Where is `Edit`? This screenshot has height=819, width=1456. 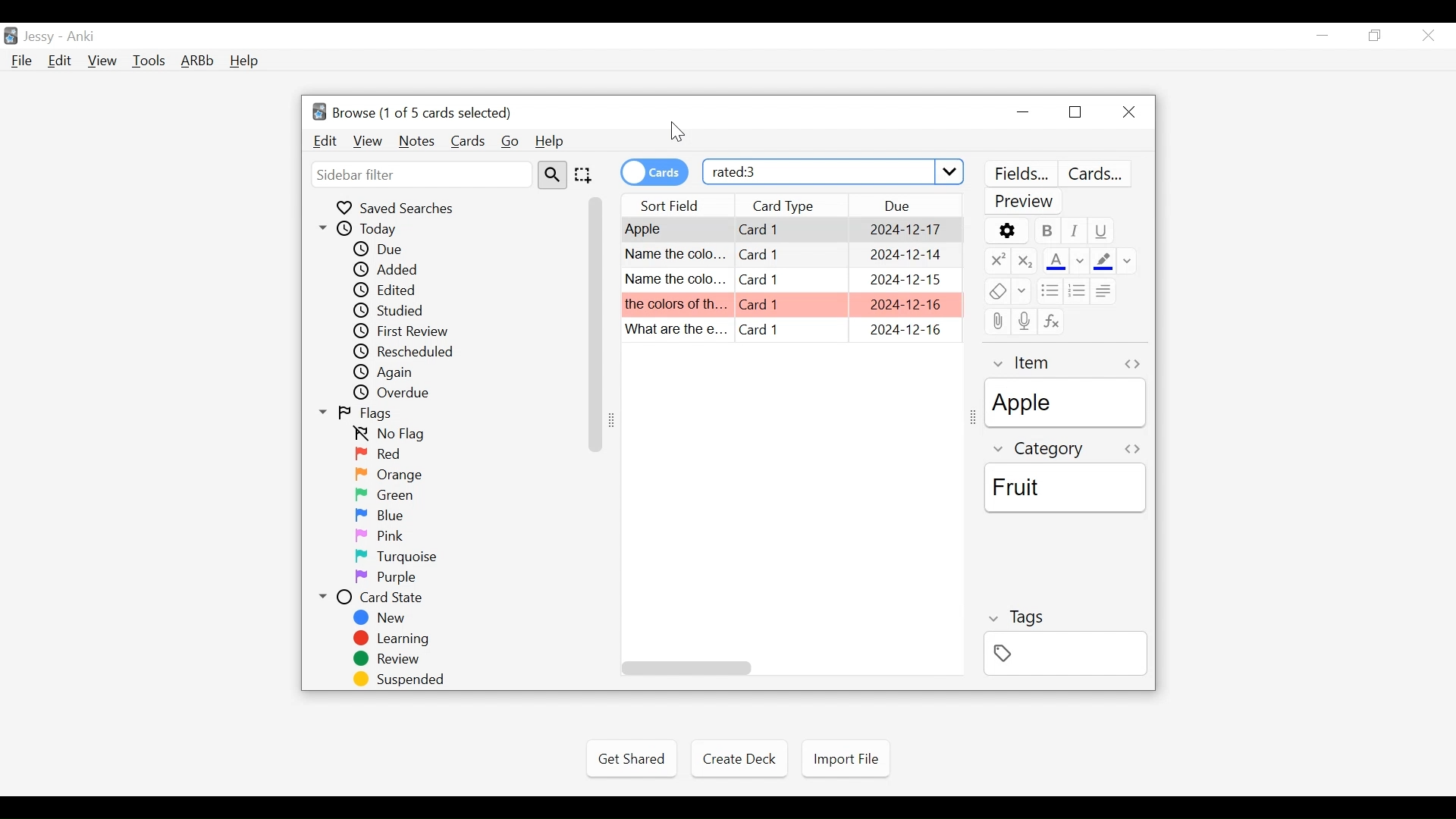
Edit is located at coordinates (61, 61).